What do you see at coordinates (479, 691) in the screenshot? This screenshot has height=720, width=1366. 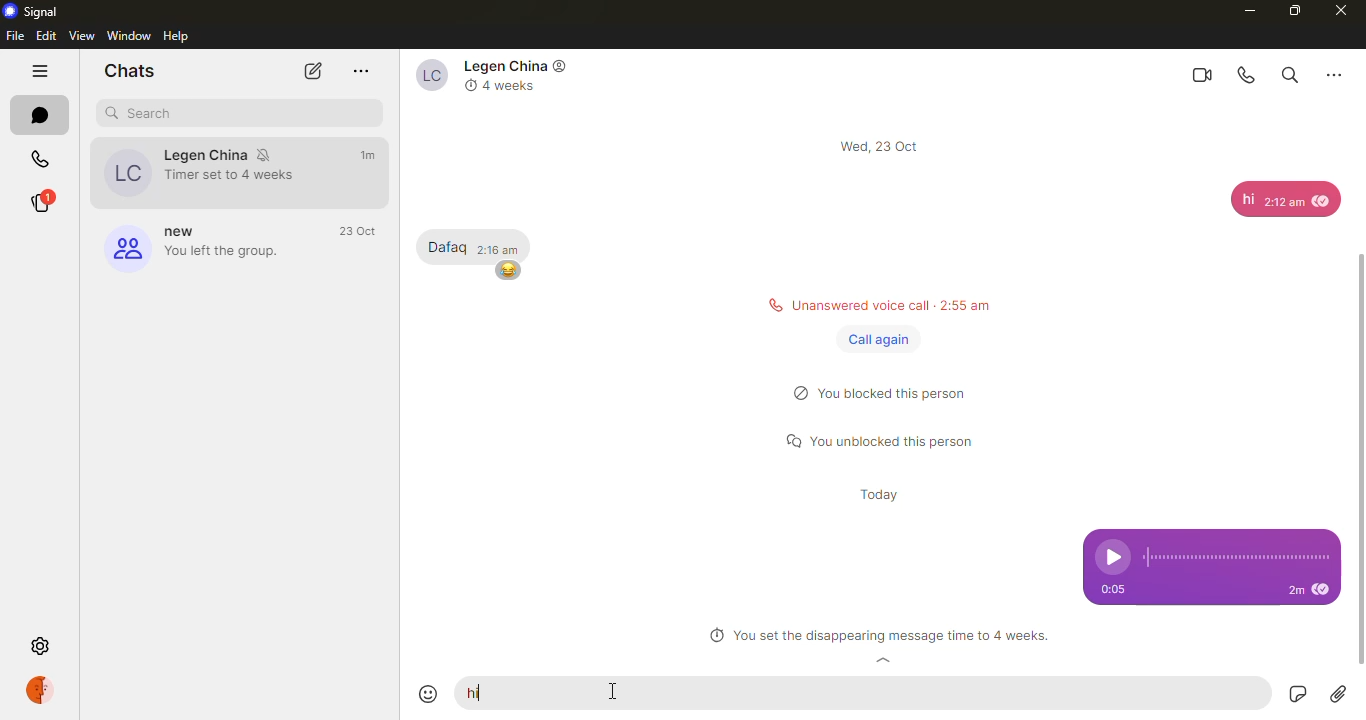 I see `hi` at bounding box center [479, 691].